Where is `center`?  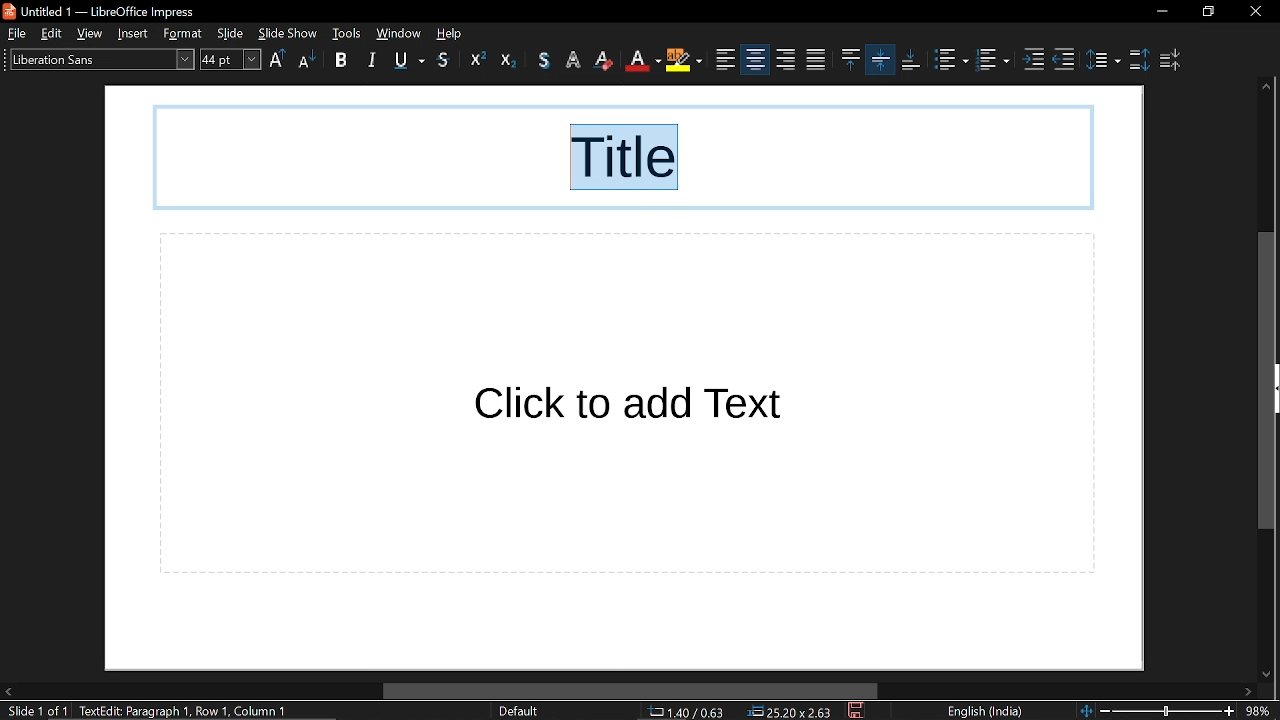 center is located at coordinates (726, 60).